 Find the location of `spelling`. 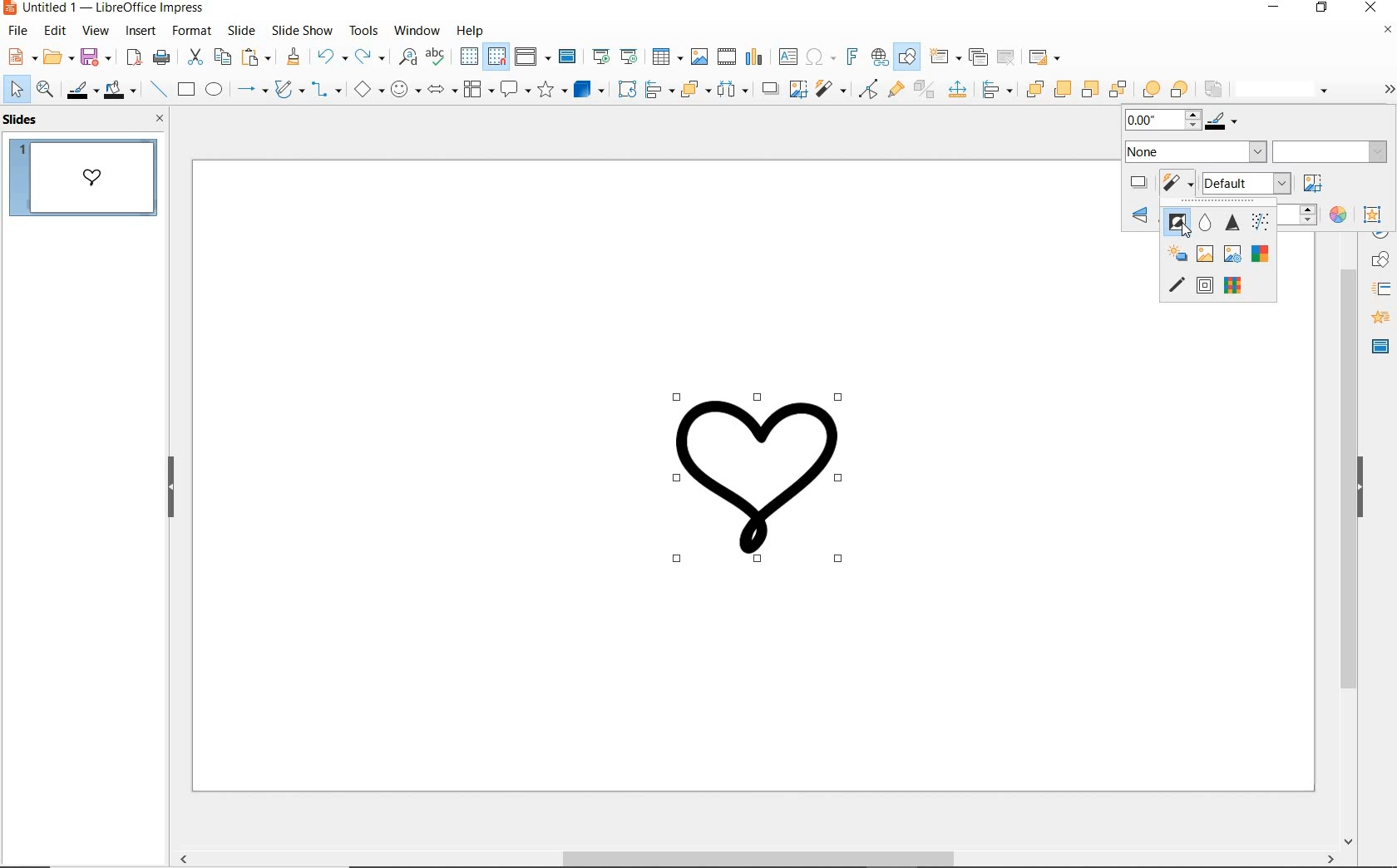

spelling is located at coordinates (437, 57).